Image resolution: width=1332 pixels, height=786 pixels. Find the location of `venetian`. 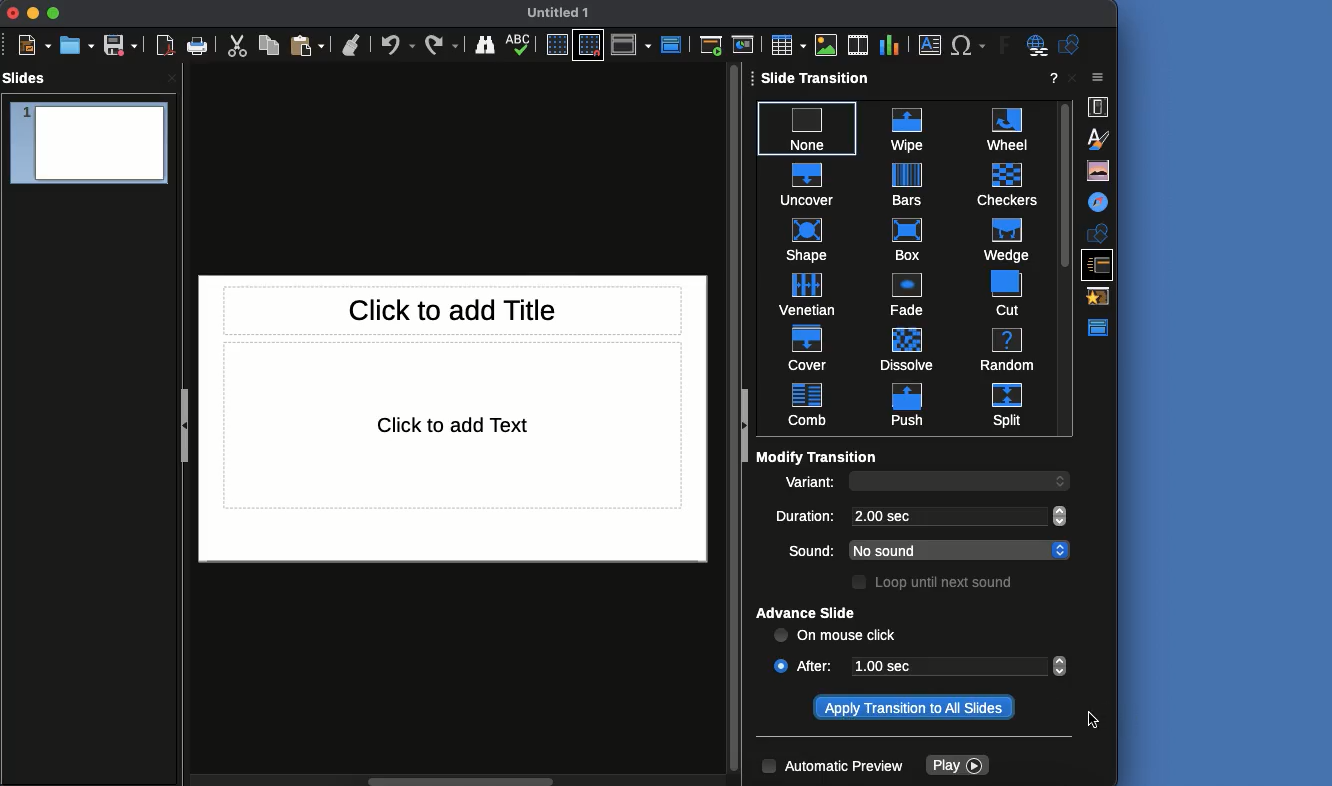

venetian is located at coordinates (808, 291).